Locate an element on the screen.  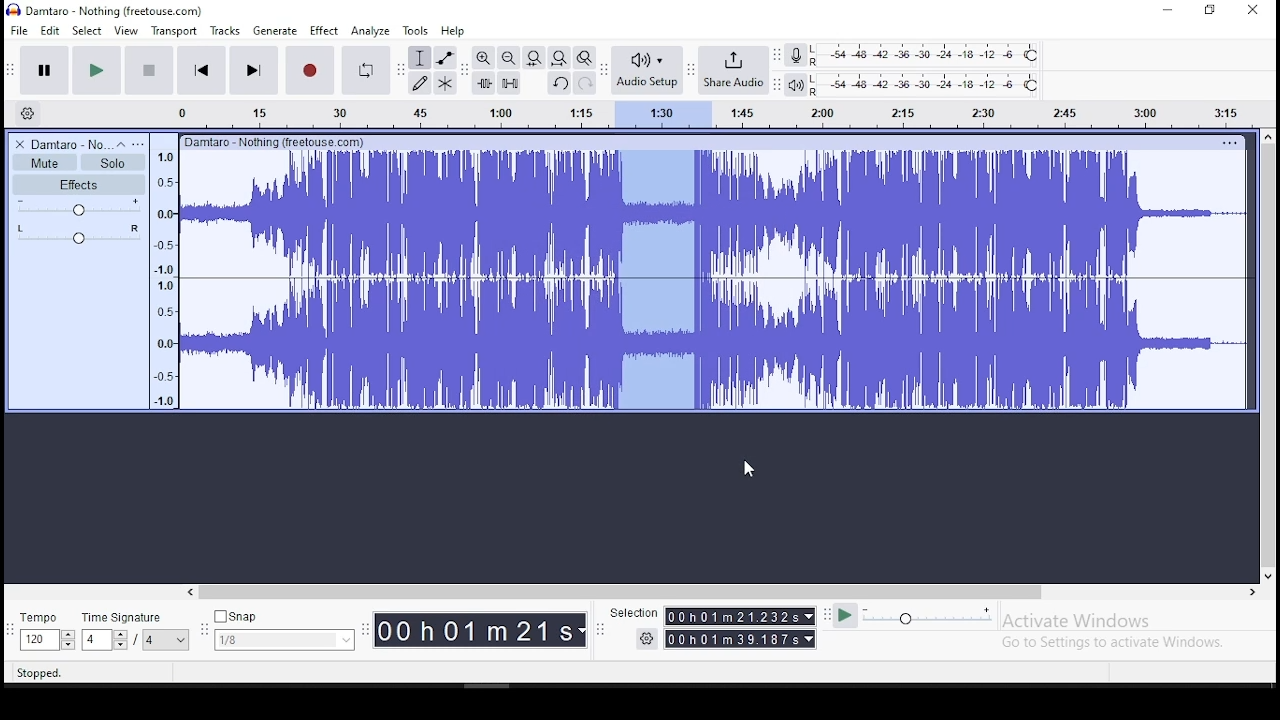
playback level is located at coordinates (926, 85).